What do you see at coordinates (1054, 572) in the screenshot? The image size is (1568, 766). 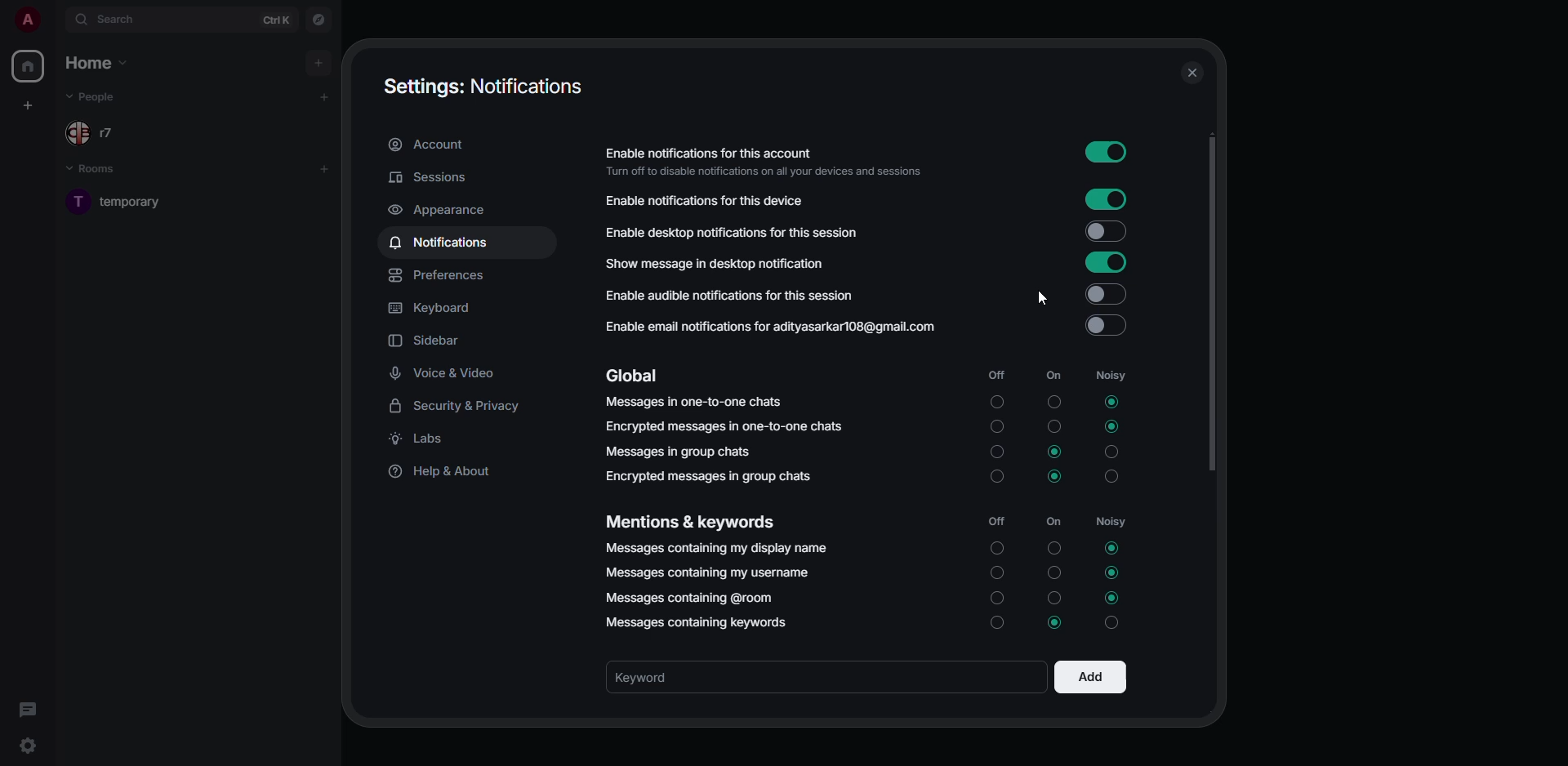 I see `On Unselected` at bounding box center [1054, 572].